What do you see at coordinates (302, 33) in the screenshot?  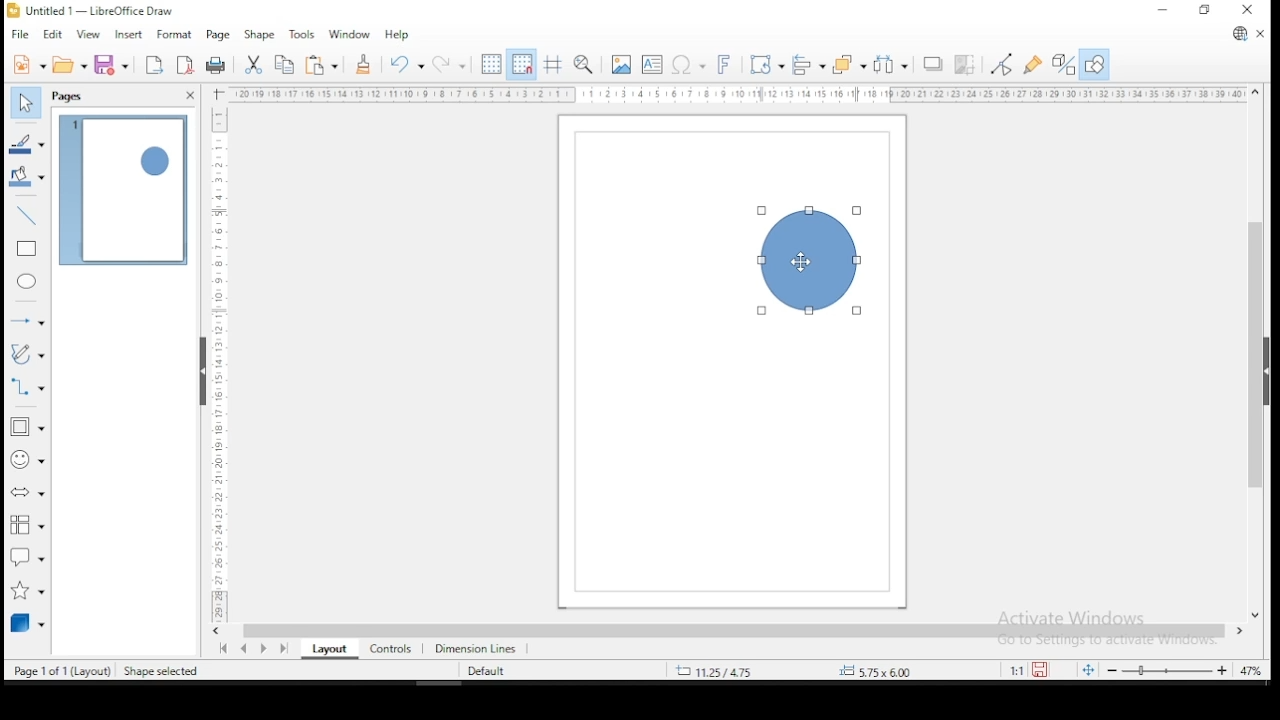 I see `tools` at bounding box center [302, 33].